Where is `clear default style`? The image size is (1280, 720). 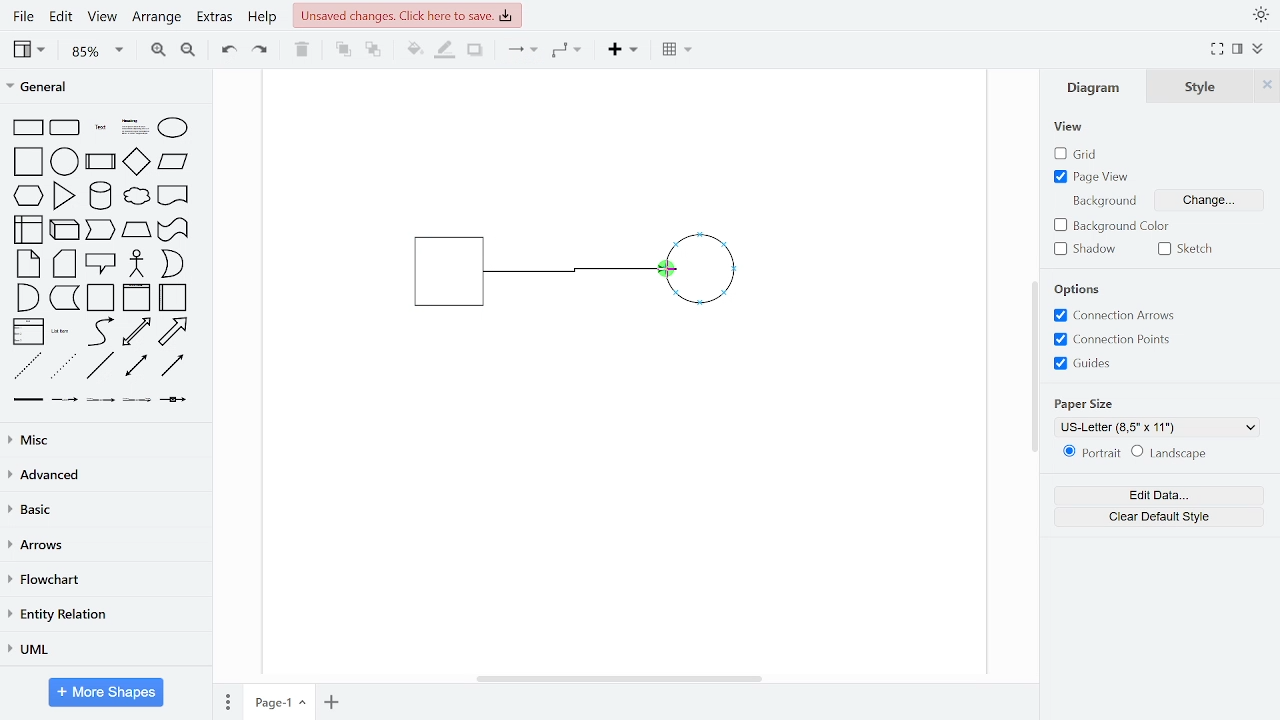
clear default style is located at coordinates (1169, 454).